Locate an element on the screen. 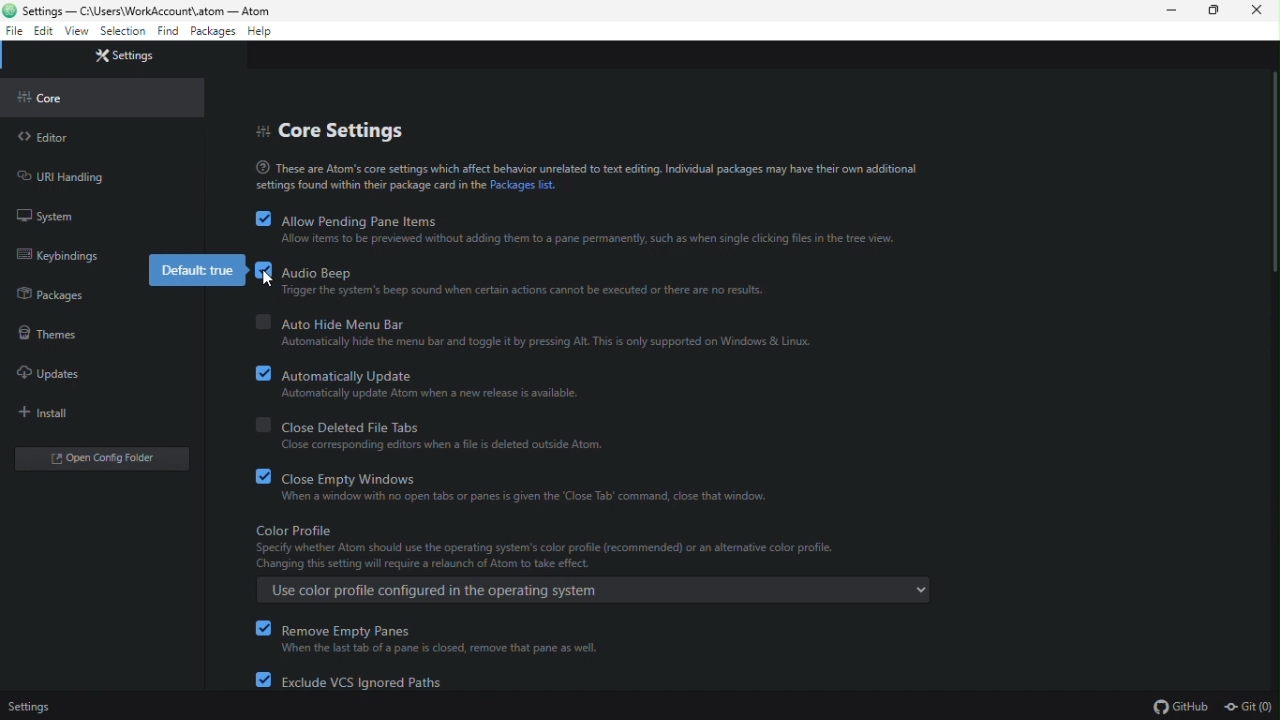 The image size is (1280, 720). automatically update is located at coordinates (420, 373).